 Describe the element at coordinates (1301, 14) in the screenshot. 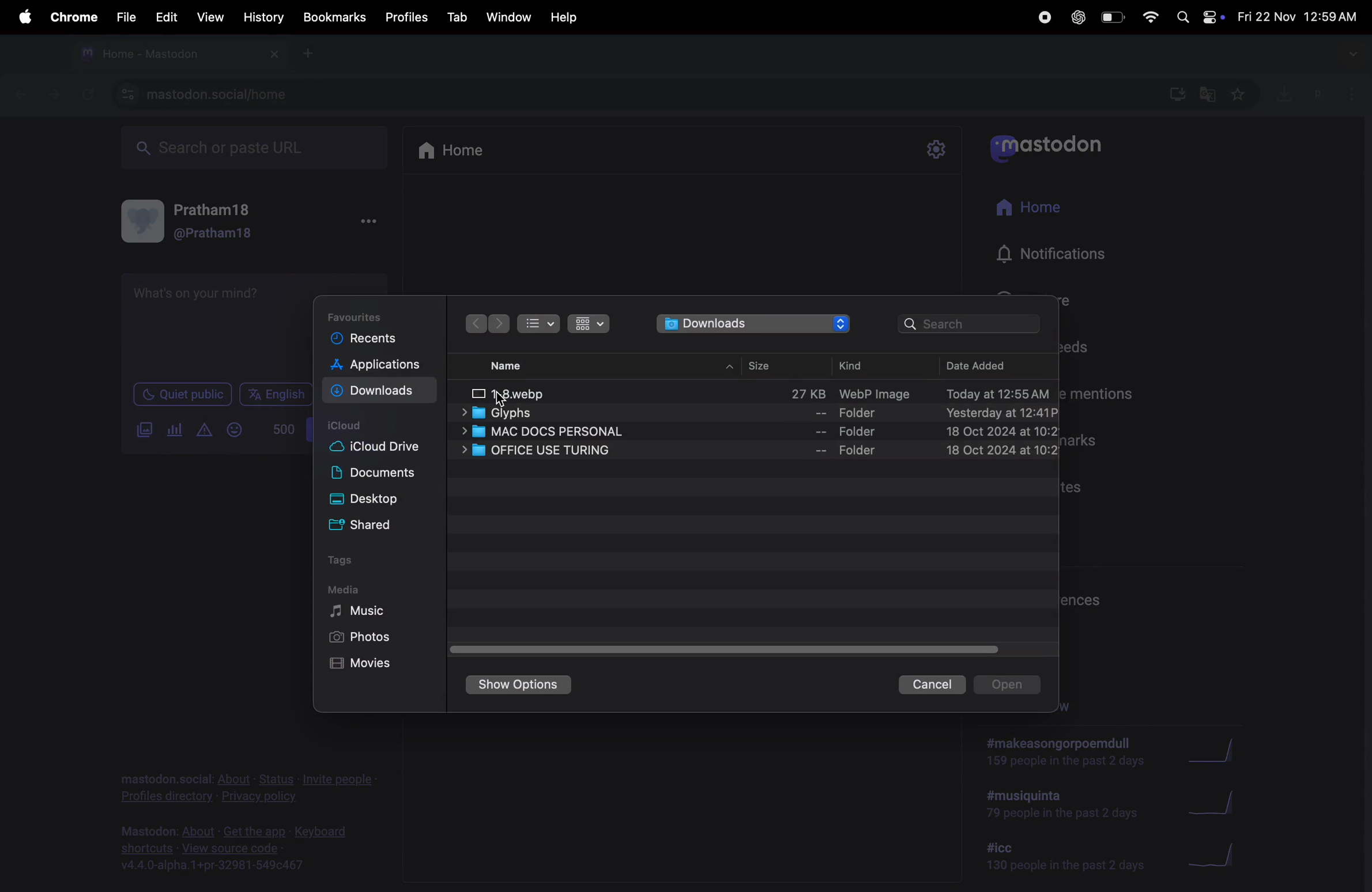

I see `date and time` at that location.